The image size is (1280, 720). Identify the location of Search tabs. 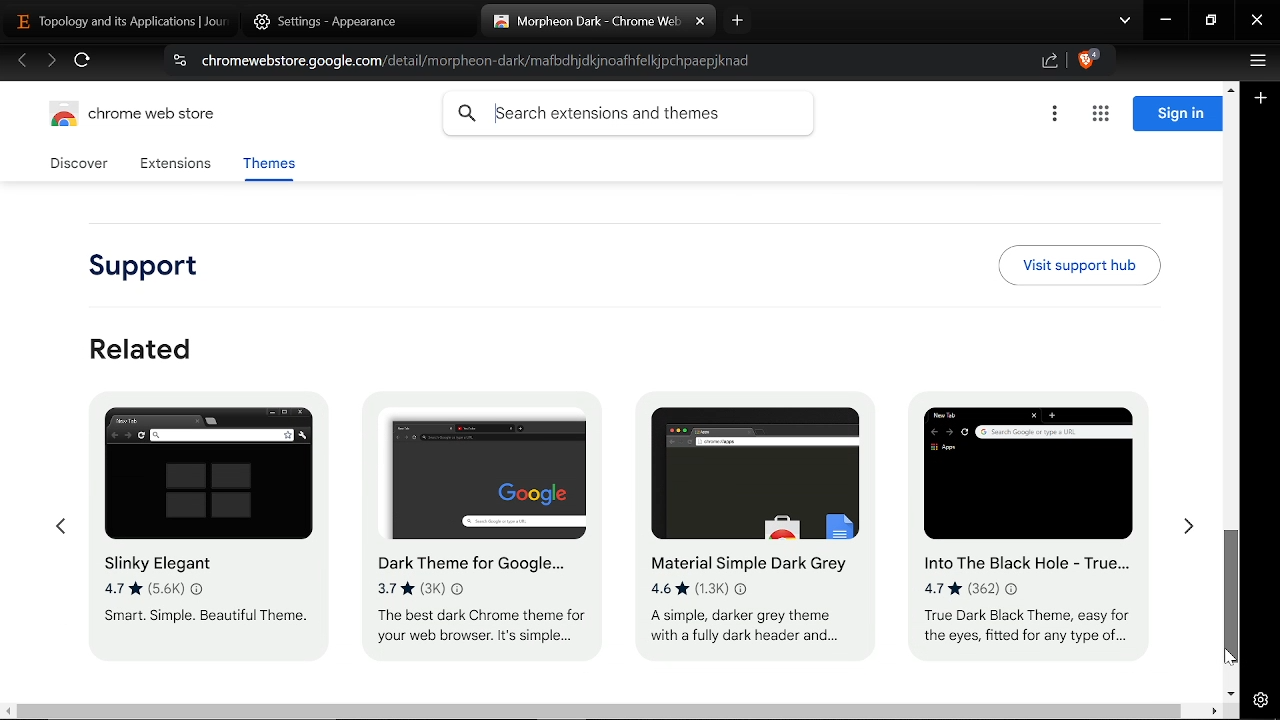
(1125, 22).